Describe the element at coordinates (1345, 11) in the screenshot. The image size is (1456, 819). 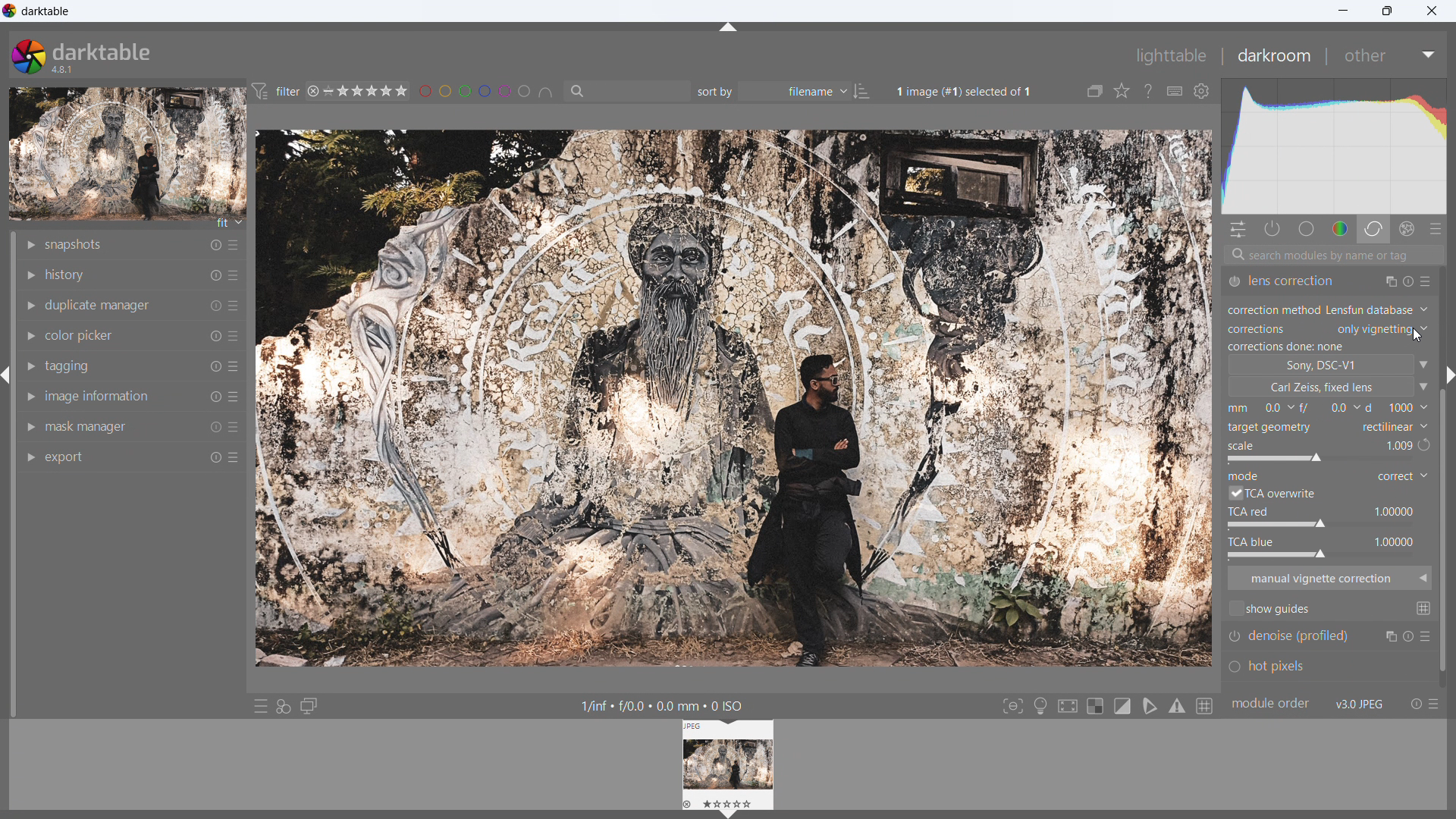
I see `minimize` at that location.